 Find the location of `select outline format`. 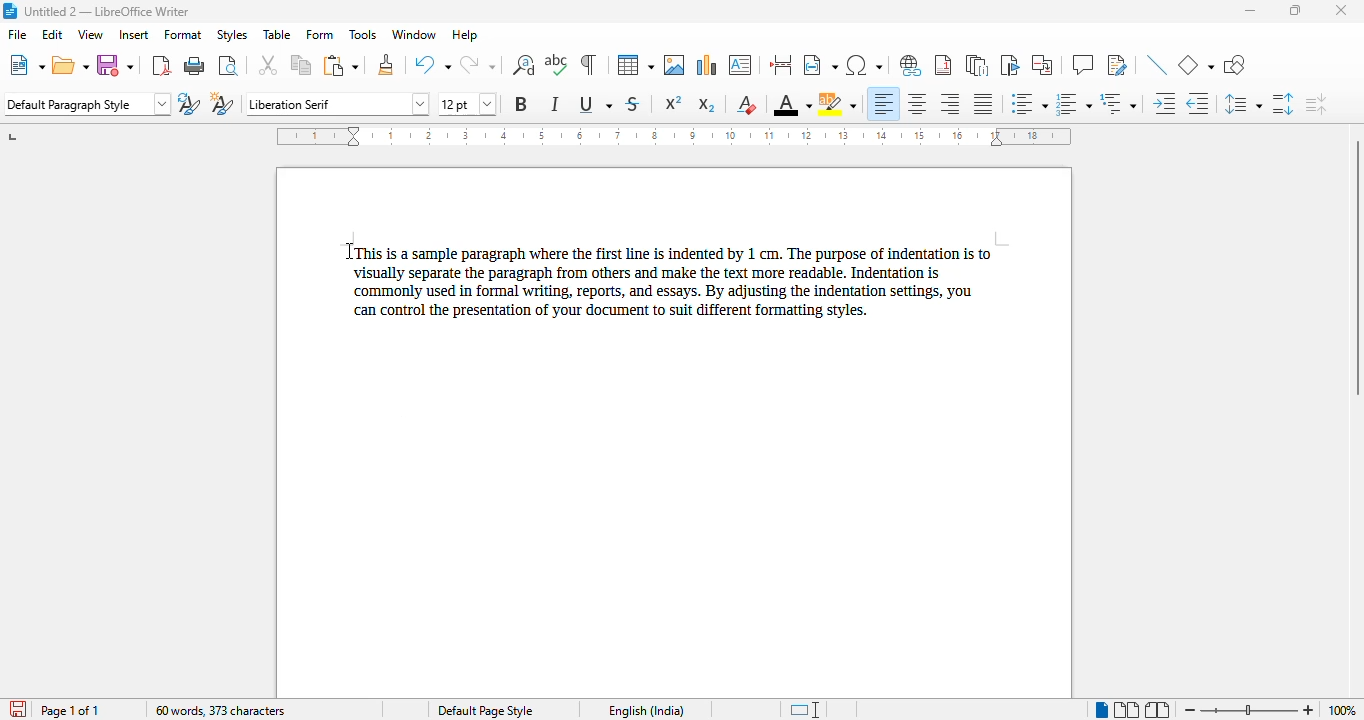

select outline format is located at coordinates (1119, 103).